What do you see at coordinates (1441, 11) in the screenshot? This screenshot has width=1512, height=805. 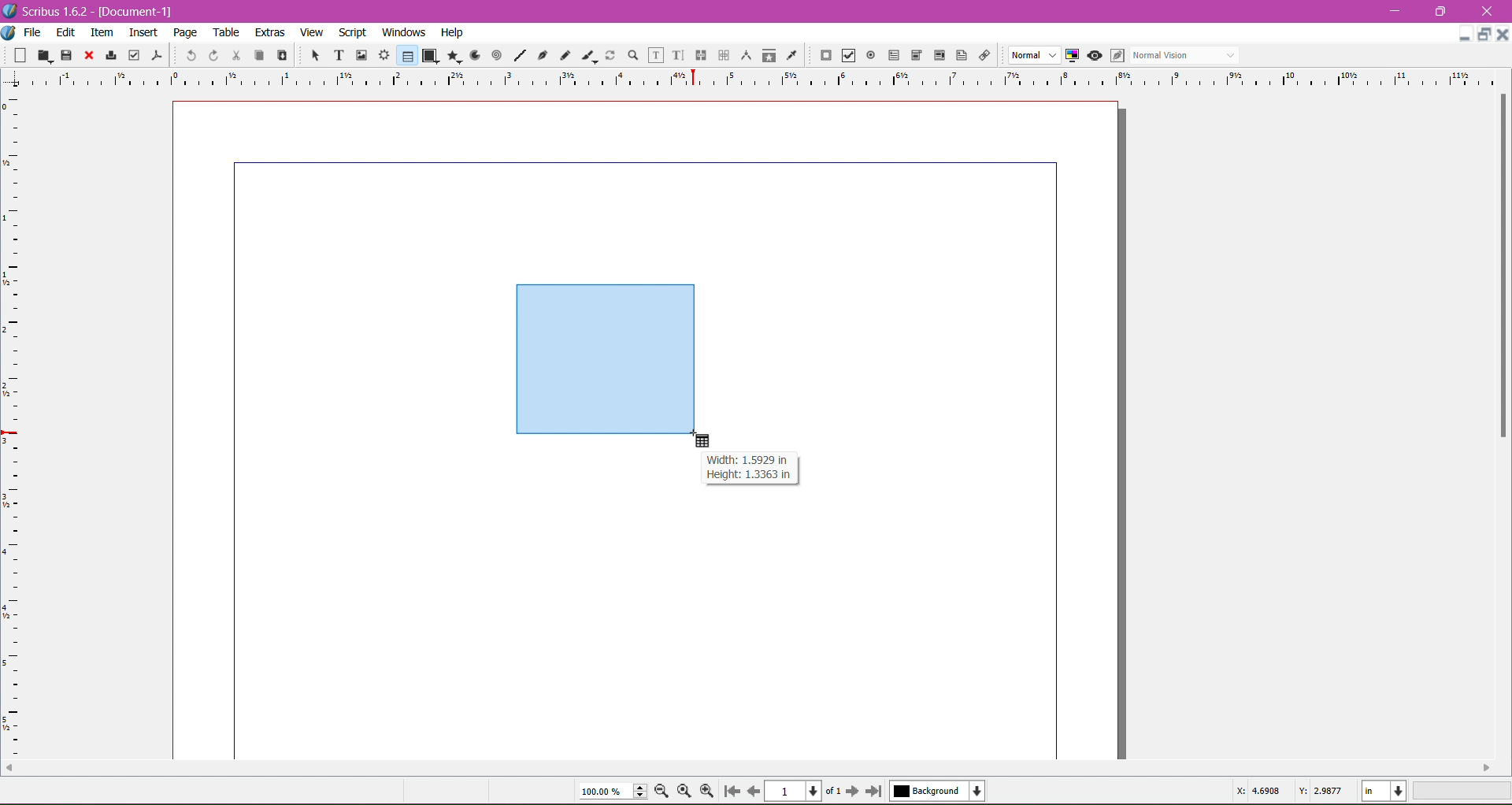 I see `Maximize` at bounding box center [1441, 11].